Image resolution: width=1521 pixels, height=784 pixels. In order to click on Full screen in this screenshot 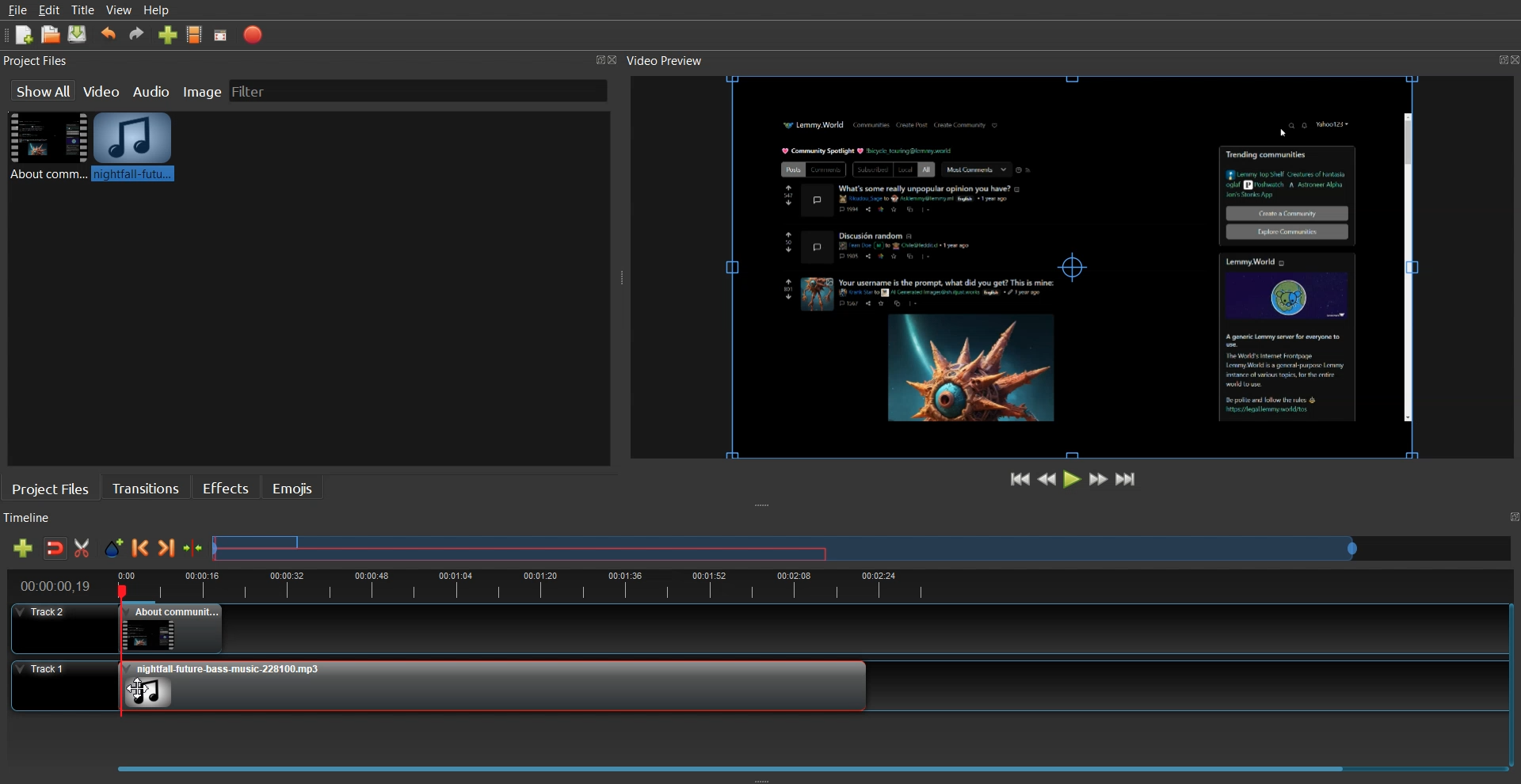, I will do `click(221, 36)`.